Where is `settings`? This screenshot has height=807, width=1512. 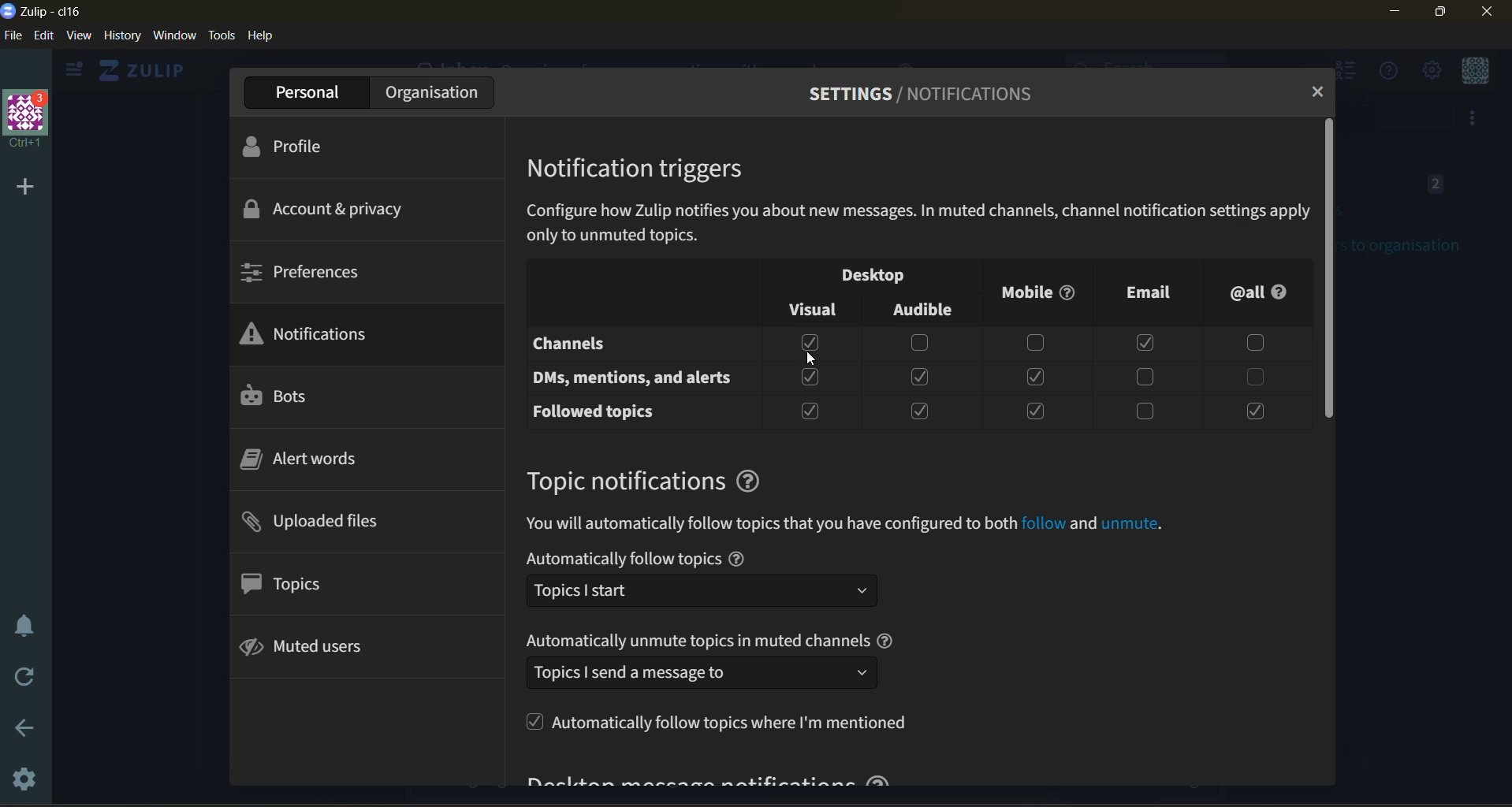
settings is located at coordinates (20, 776).